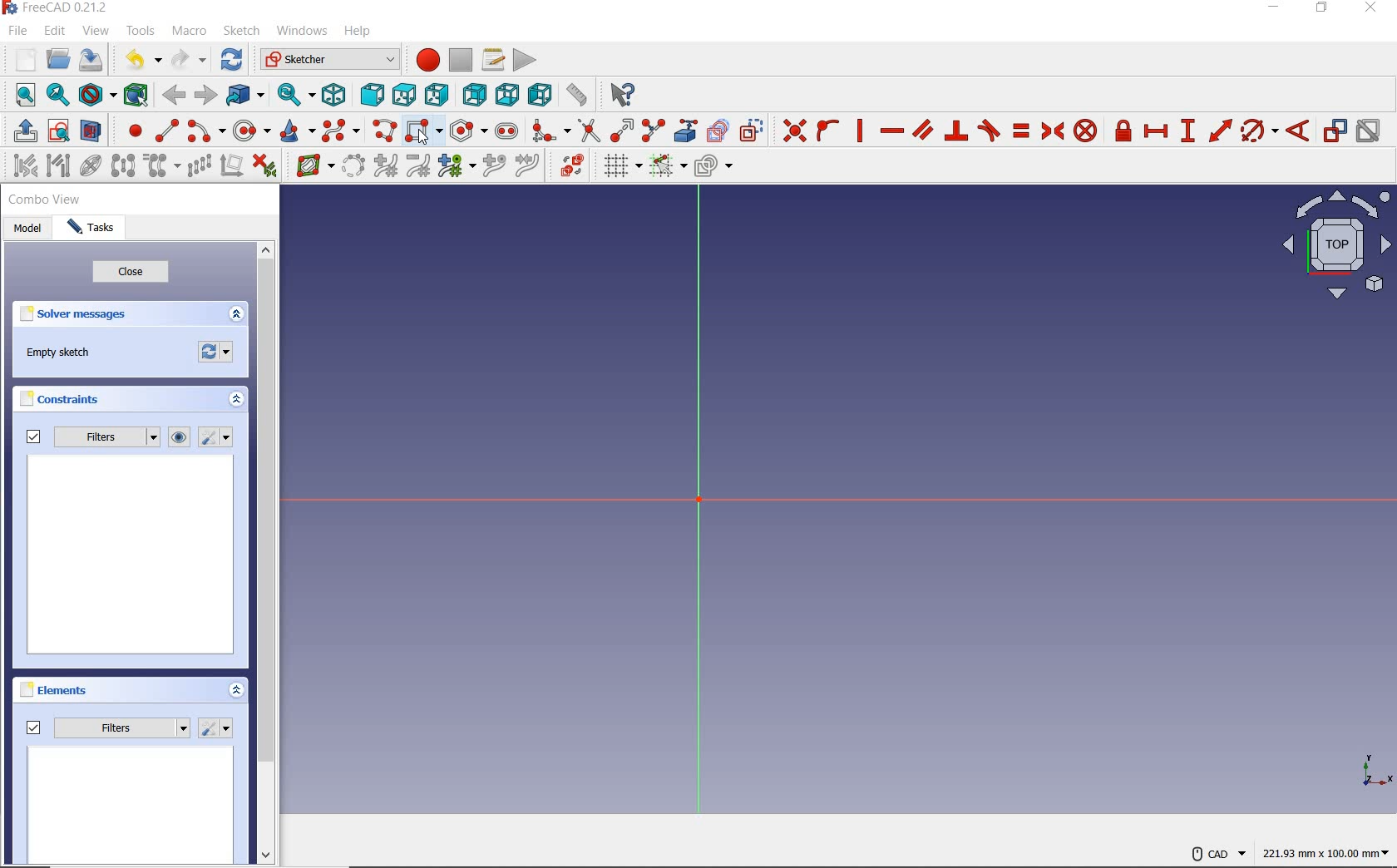  What do you see at coordinates (302, 32) in the screenshot?
I see `windows` at bounding box center [302, 32].